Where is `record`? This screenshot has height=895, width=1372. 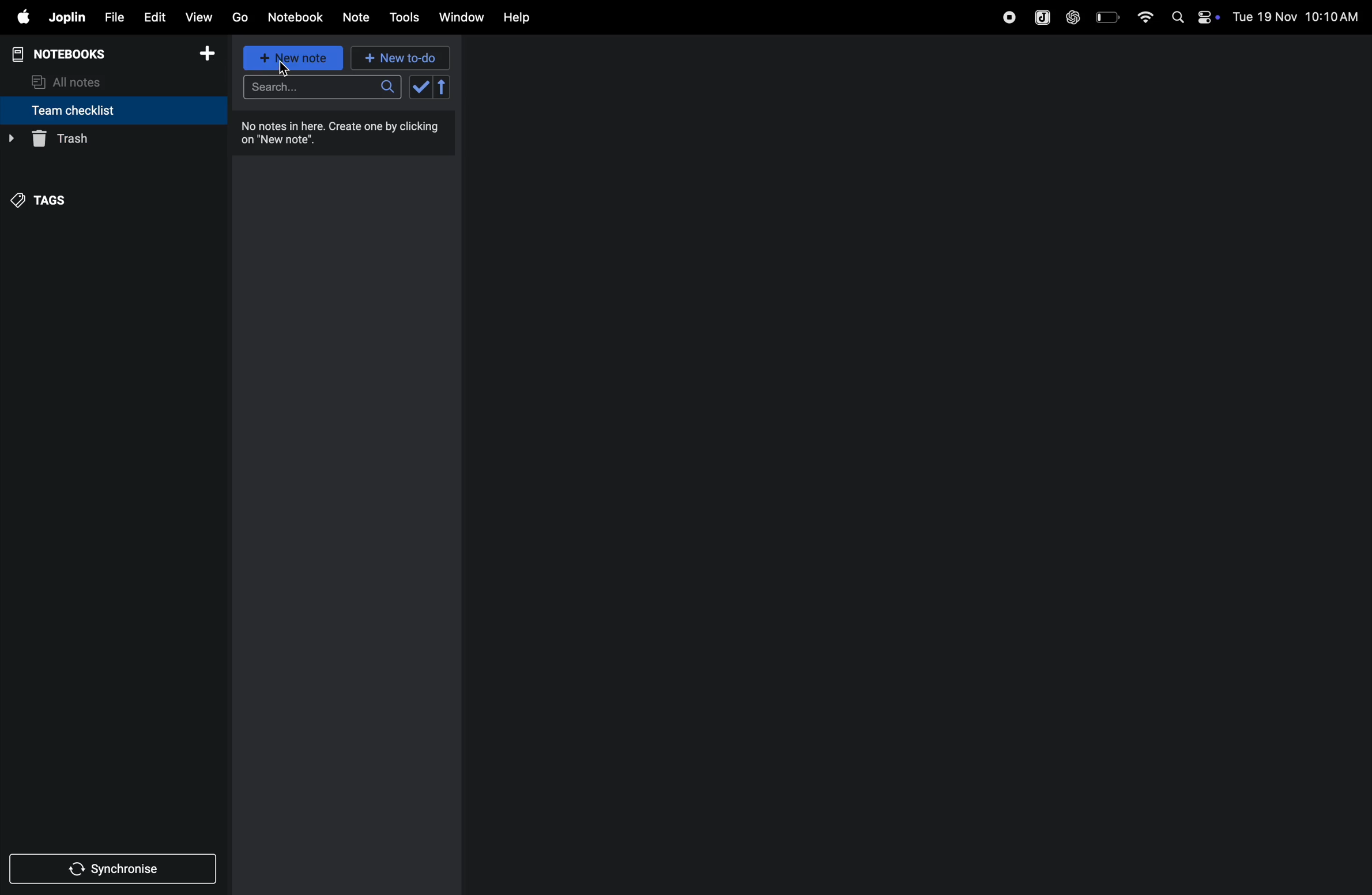 record is located at coordinates (1005, 17).